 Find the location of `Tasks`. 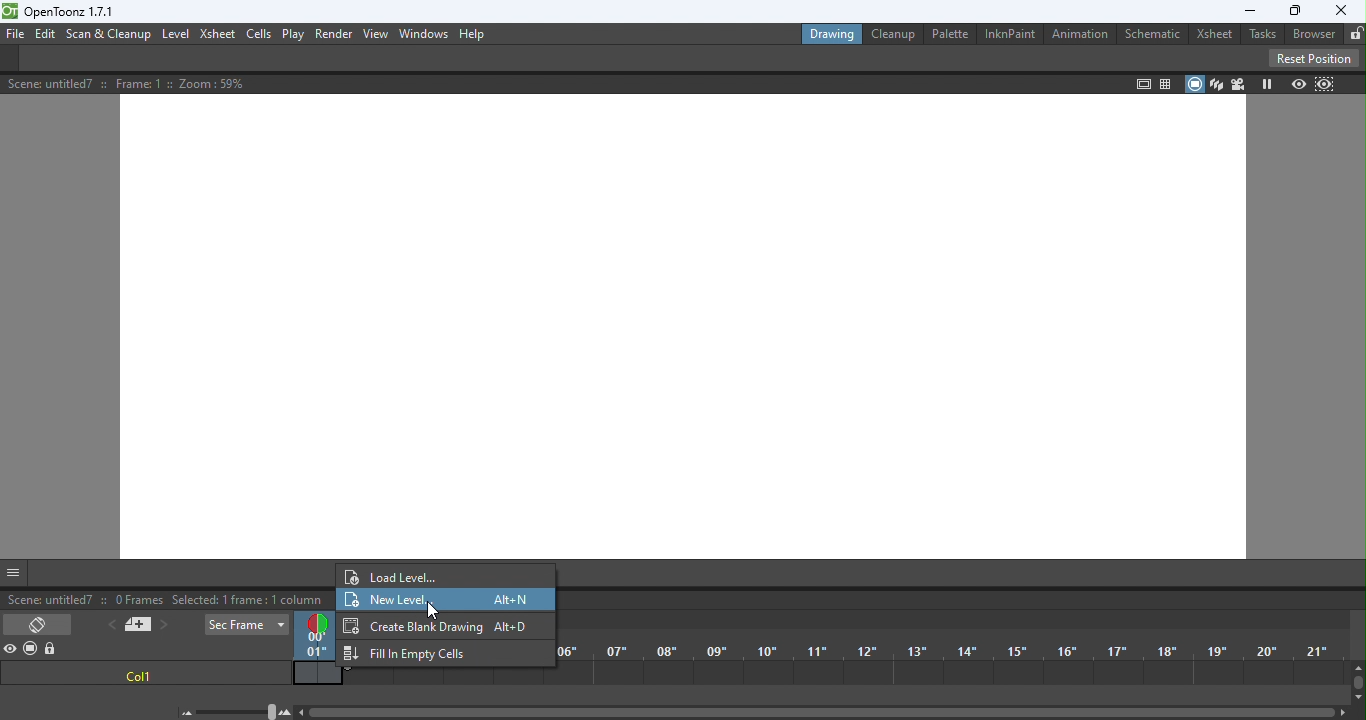

Tasks is located at coordinates (1260, 35).